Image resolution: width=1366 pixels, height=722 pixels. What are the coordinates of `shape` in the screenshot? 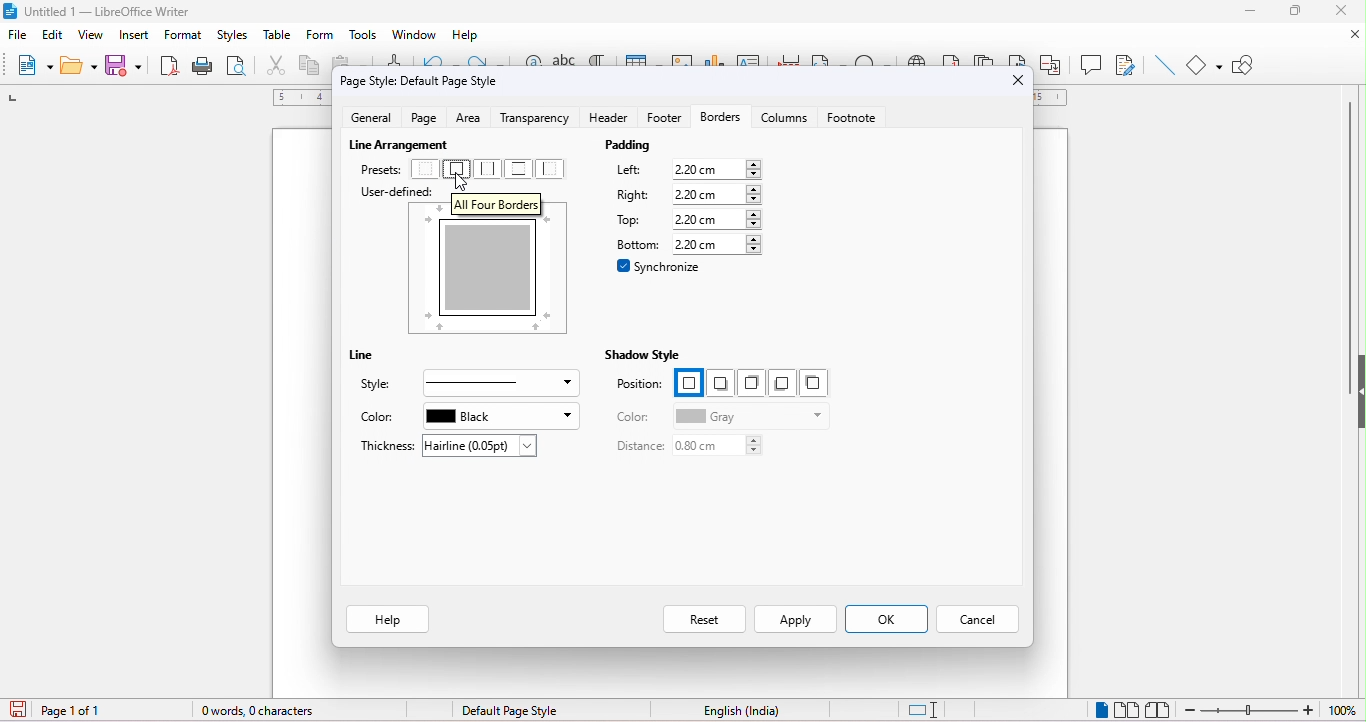 It's located at (1204, 65).